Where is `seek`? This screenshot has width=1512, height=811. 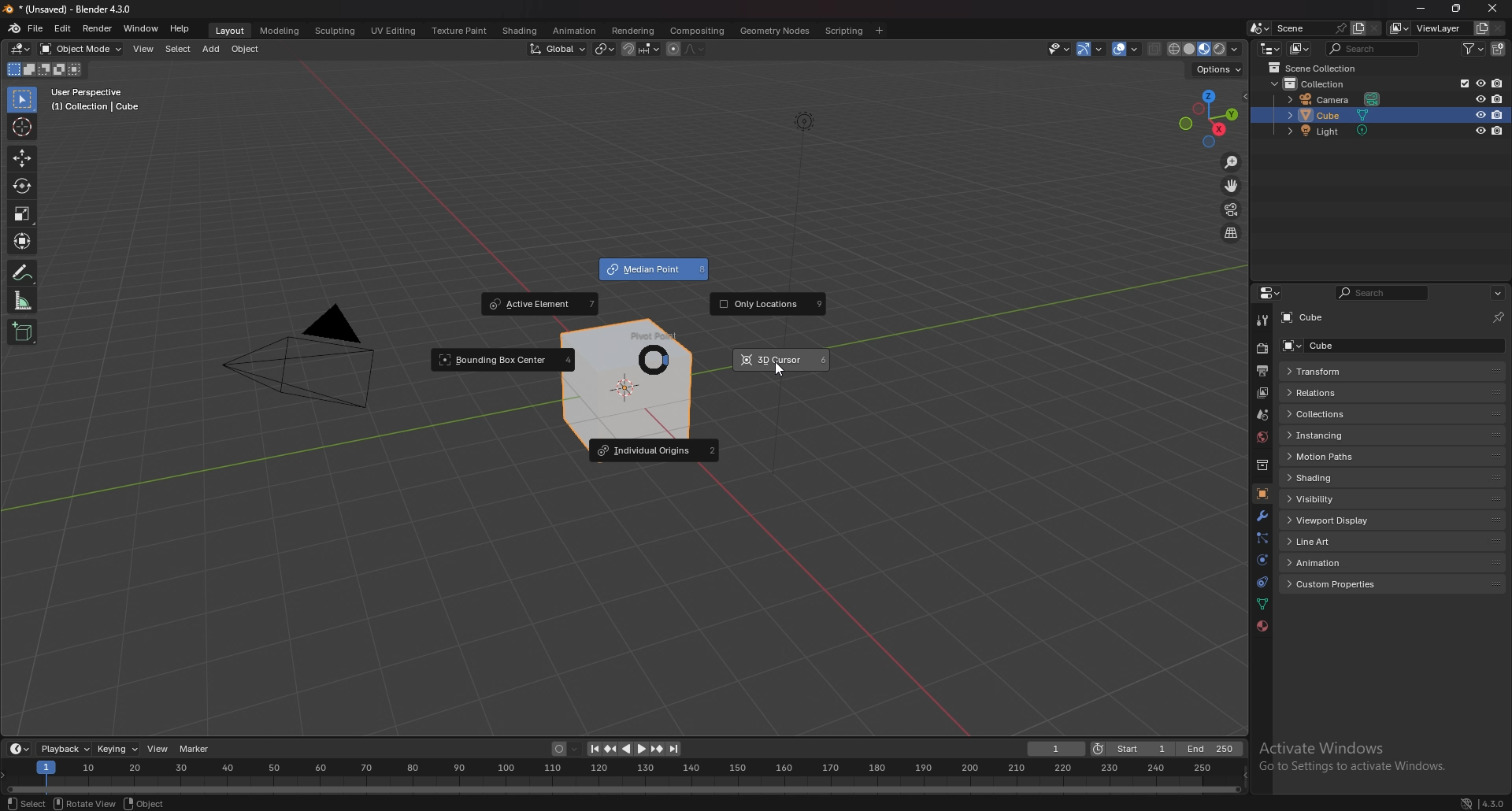 seek is located at coordinates (622, 779).